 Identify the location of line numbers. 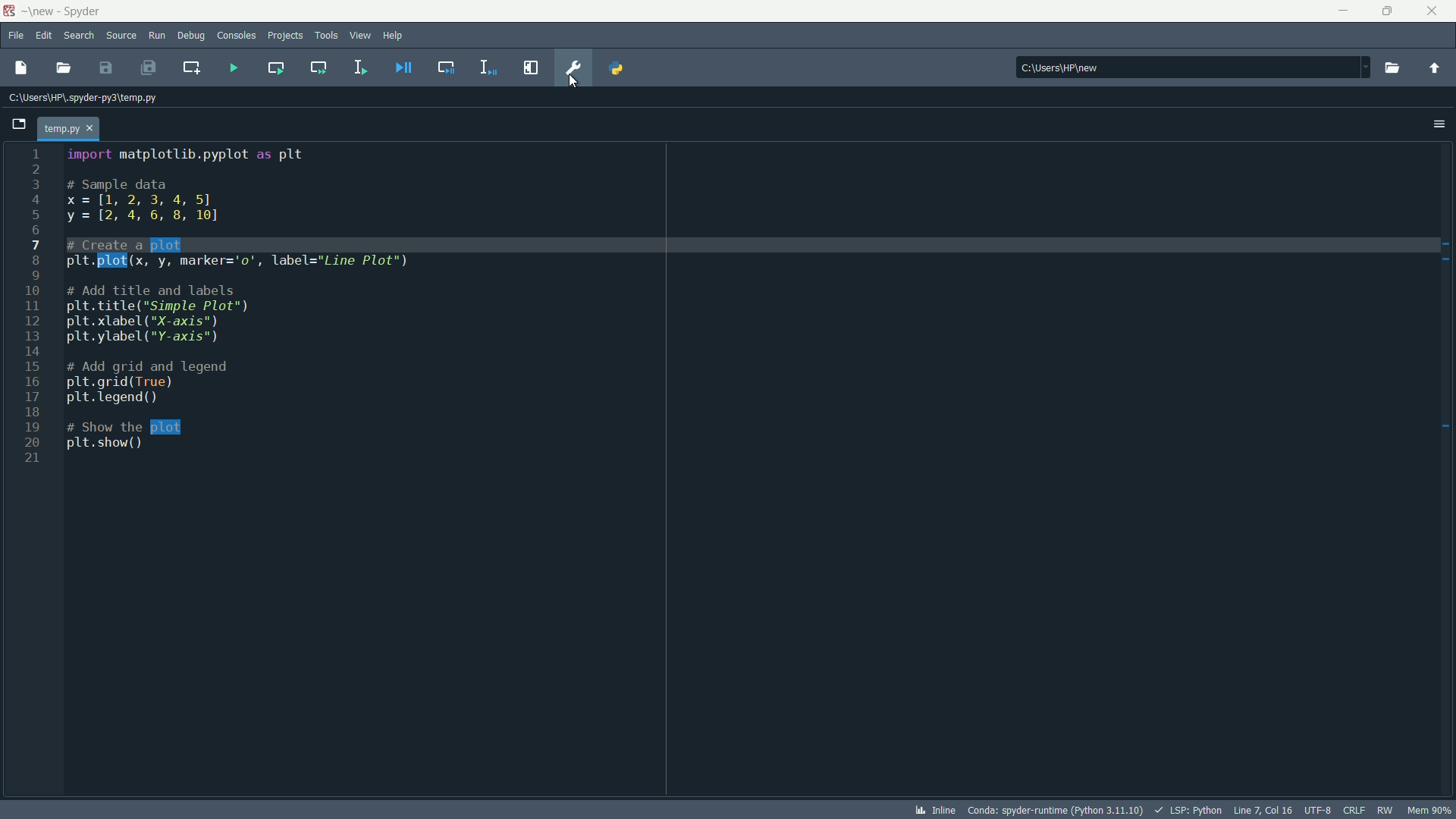
(30, 309).